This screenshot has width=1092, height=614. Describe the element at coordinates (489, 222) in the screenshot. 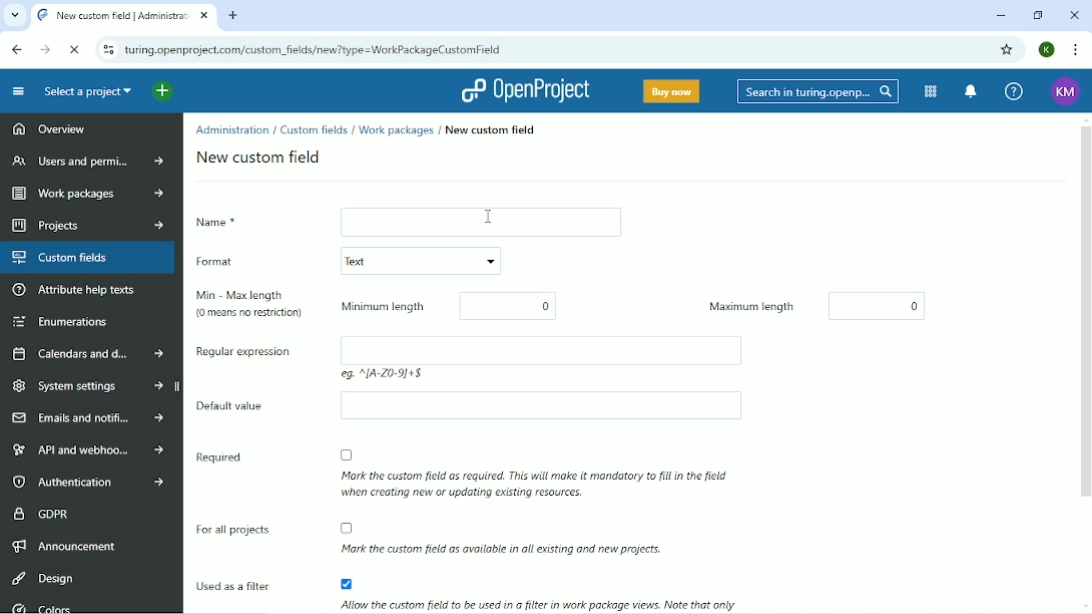

I see `Empty name box` at that location.